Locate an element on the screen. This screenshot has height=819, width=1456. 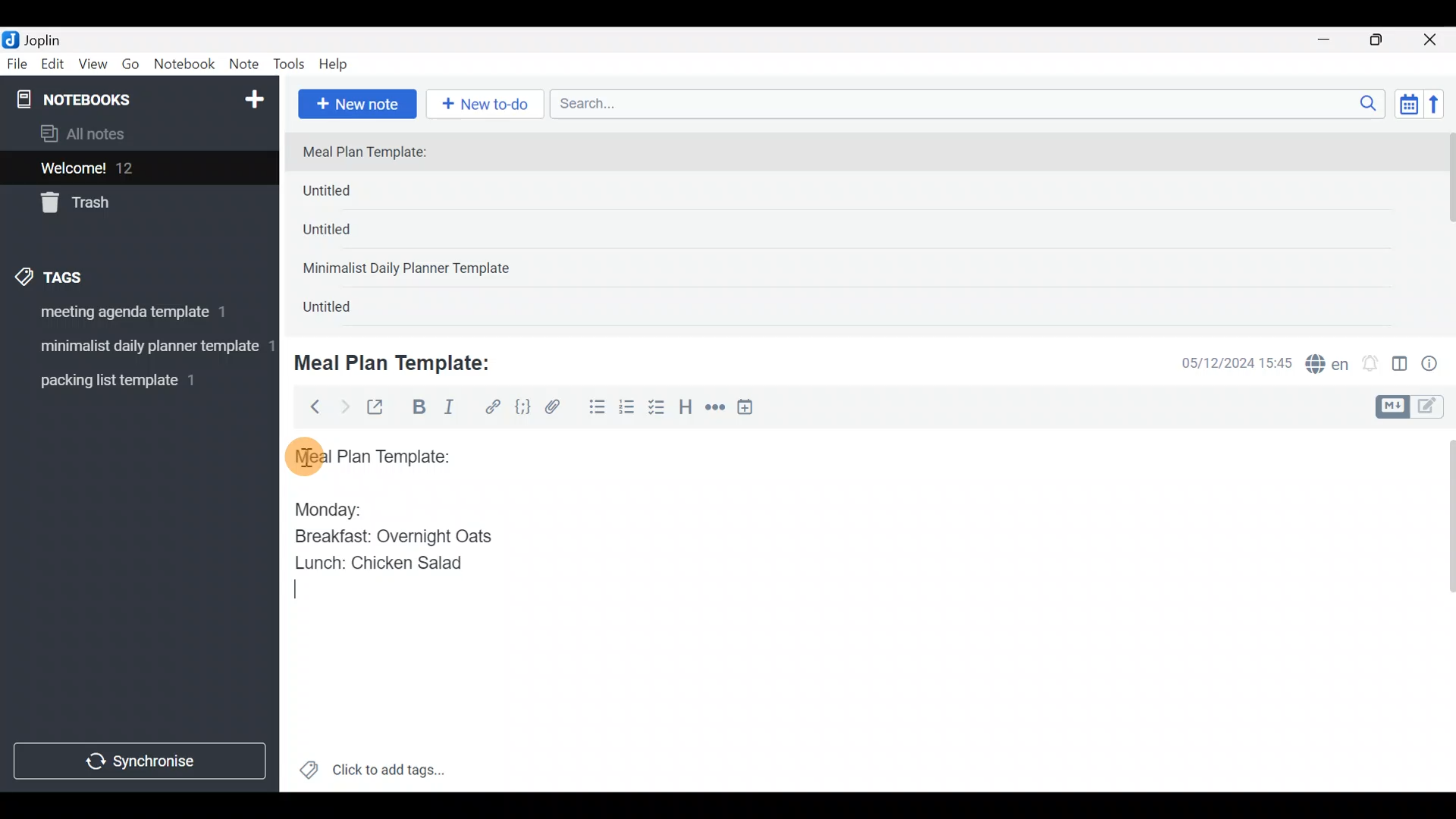
Breakfast: Overnight Oats is located at coordinates (391, 538).